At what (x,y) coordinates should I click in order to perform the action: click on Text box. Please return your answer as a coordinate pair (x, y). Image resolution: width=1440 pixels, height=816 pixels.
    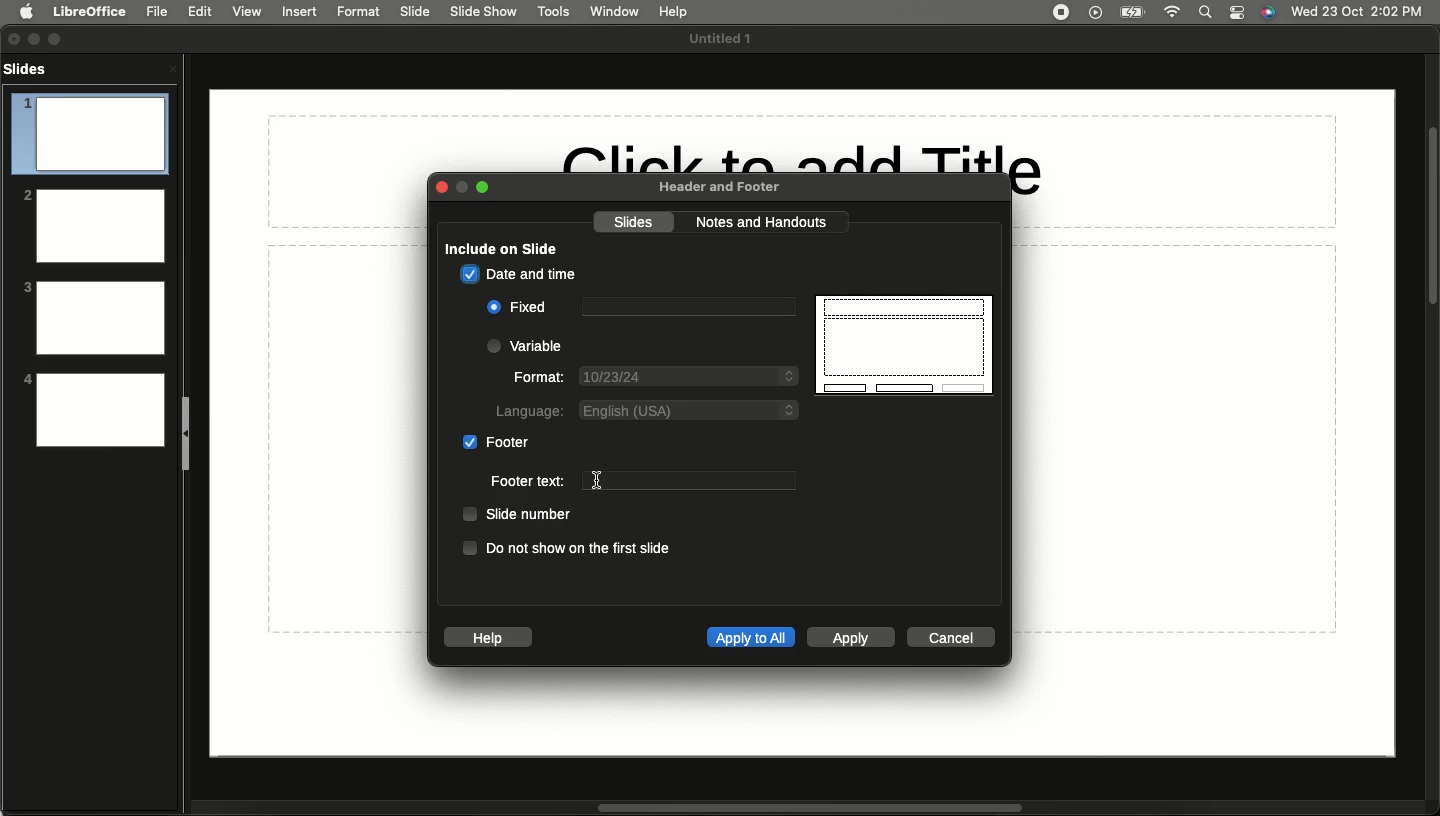
    Looking at the image, I should click on (685, 308).